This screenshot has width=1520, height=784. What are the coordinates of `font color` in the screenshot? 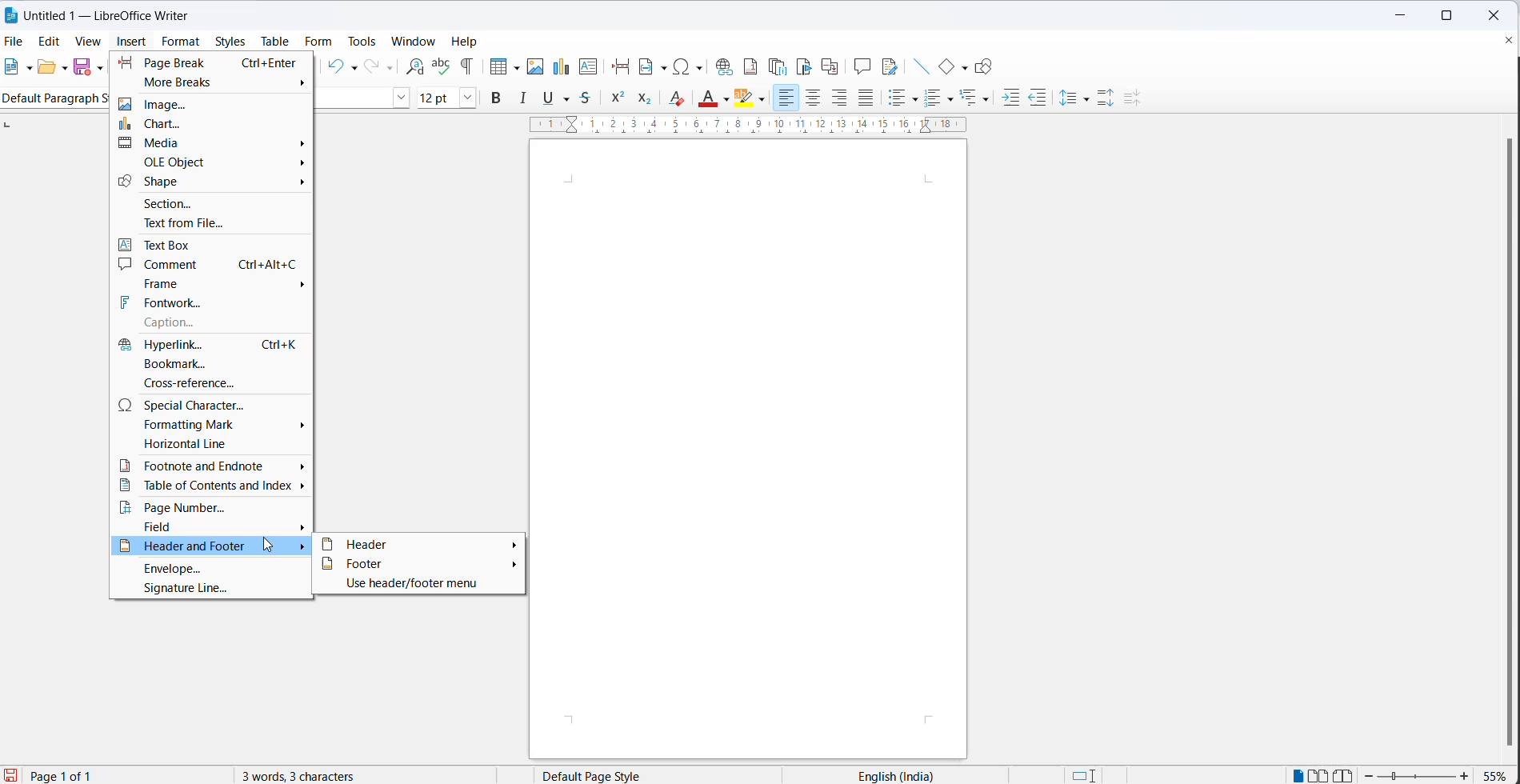 It's located at (708, 101).